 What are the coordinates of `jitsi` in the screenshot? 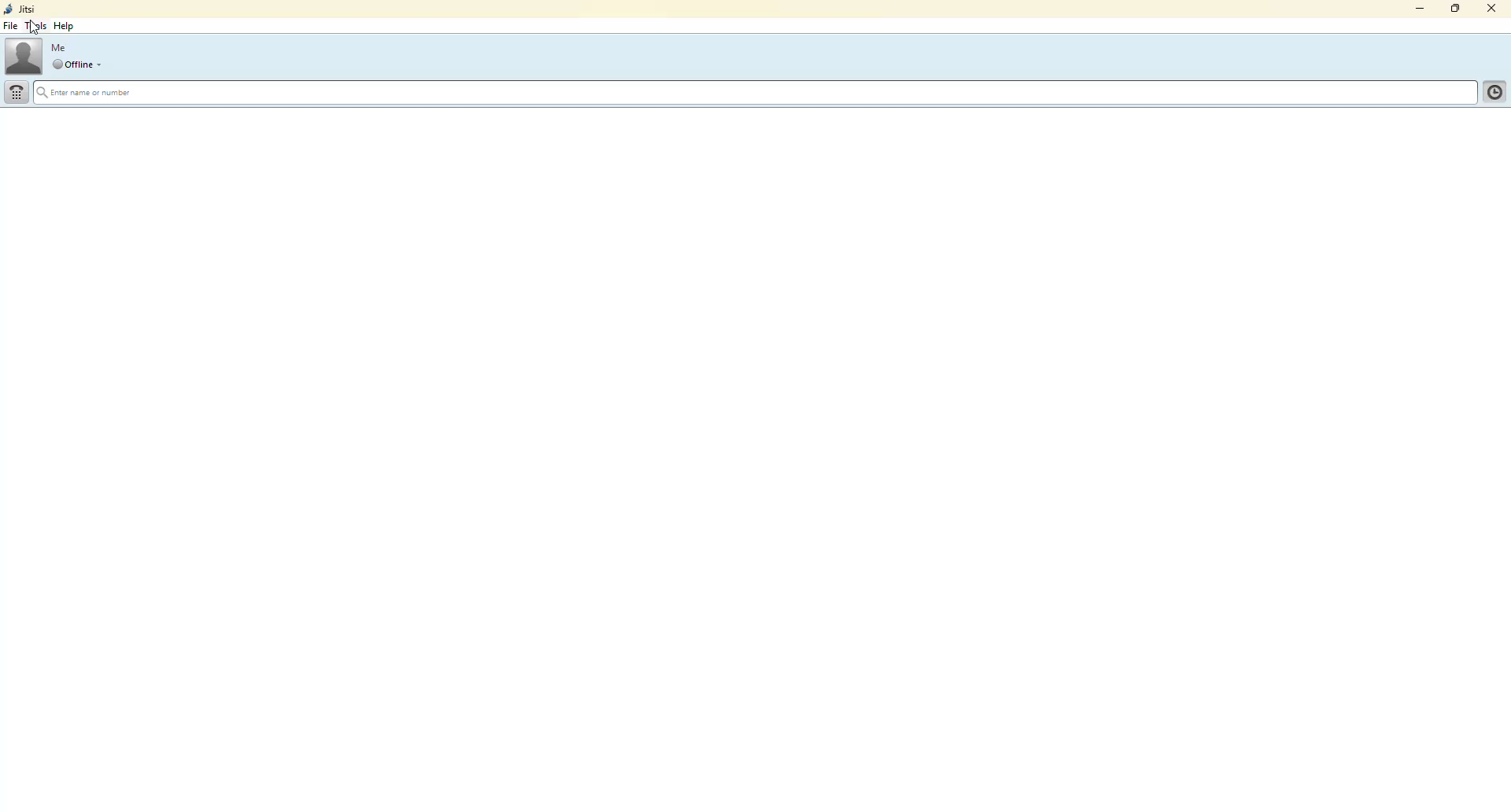 It's located at (22, 9).